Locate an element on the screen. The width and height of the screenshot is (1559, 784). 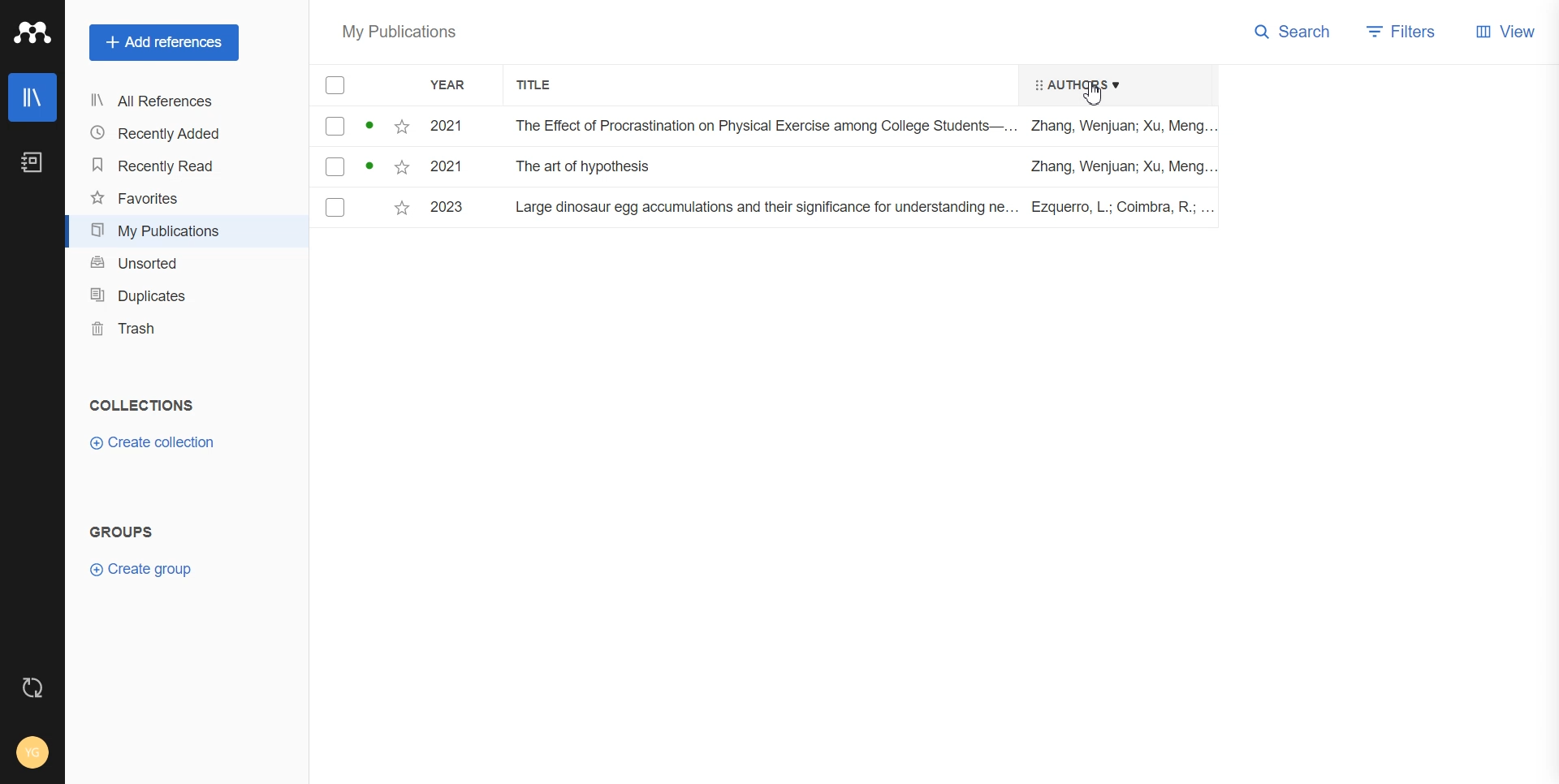
Checkmark is located at coordinates (335, 207).